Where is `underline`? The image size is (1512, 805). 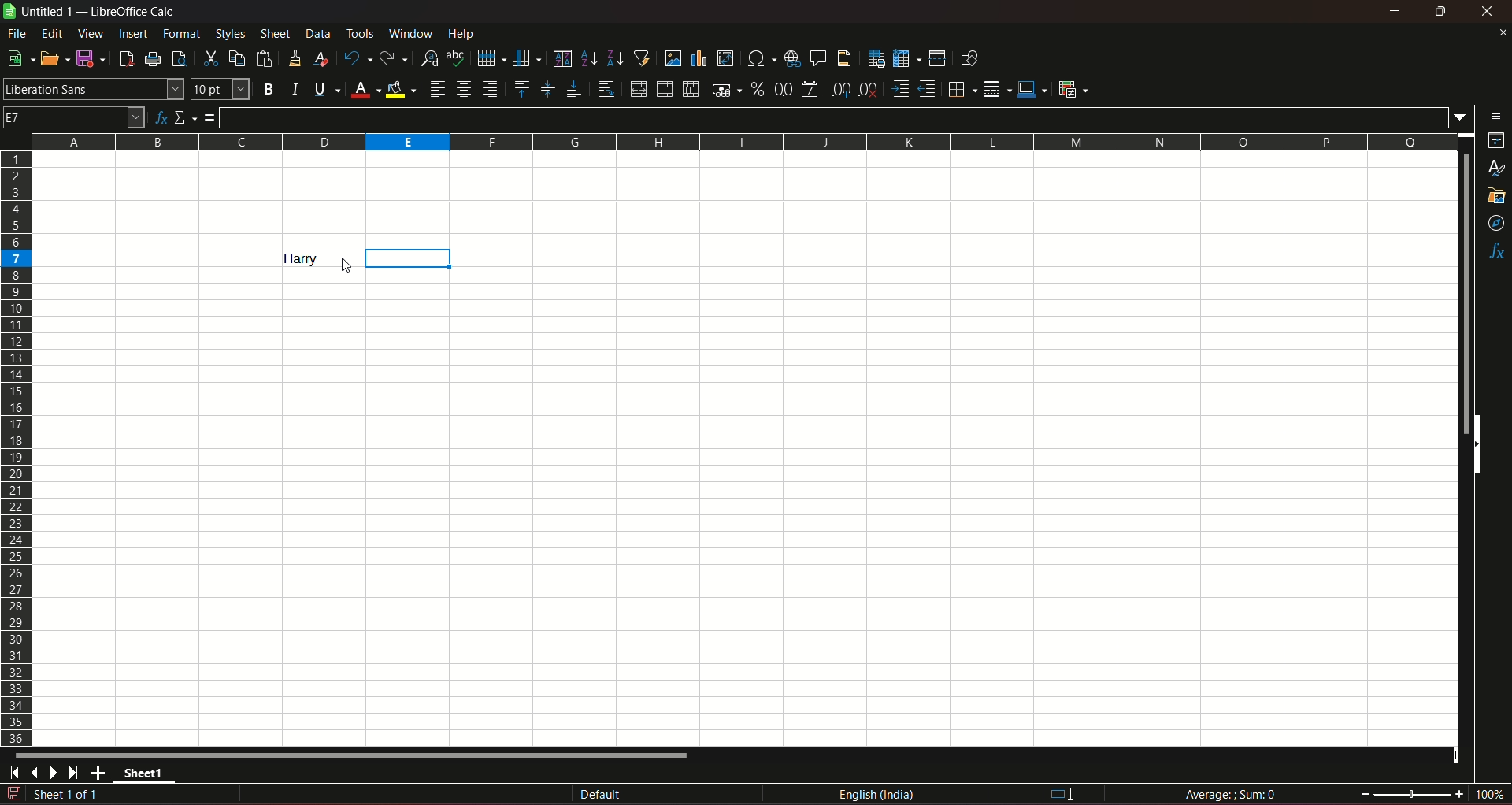
underline is located at coordinates (326, 89).